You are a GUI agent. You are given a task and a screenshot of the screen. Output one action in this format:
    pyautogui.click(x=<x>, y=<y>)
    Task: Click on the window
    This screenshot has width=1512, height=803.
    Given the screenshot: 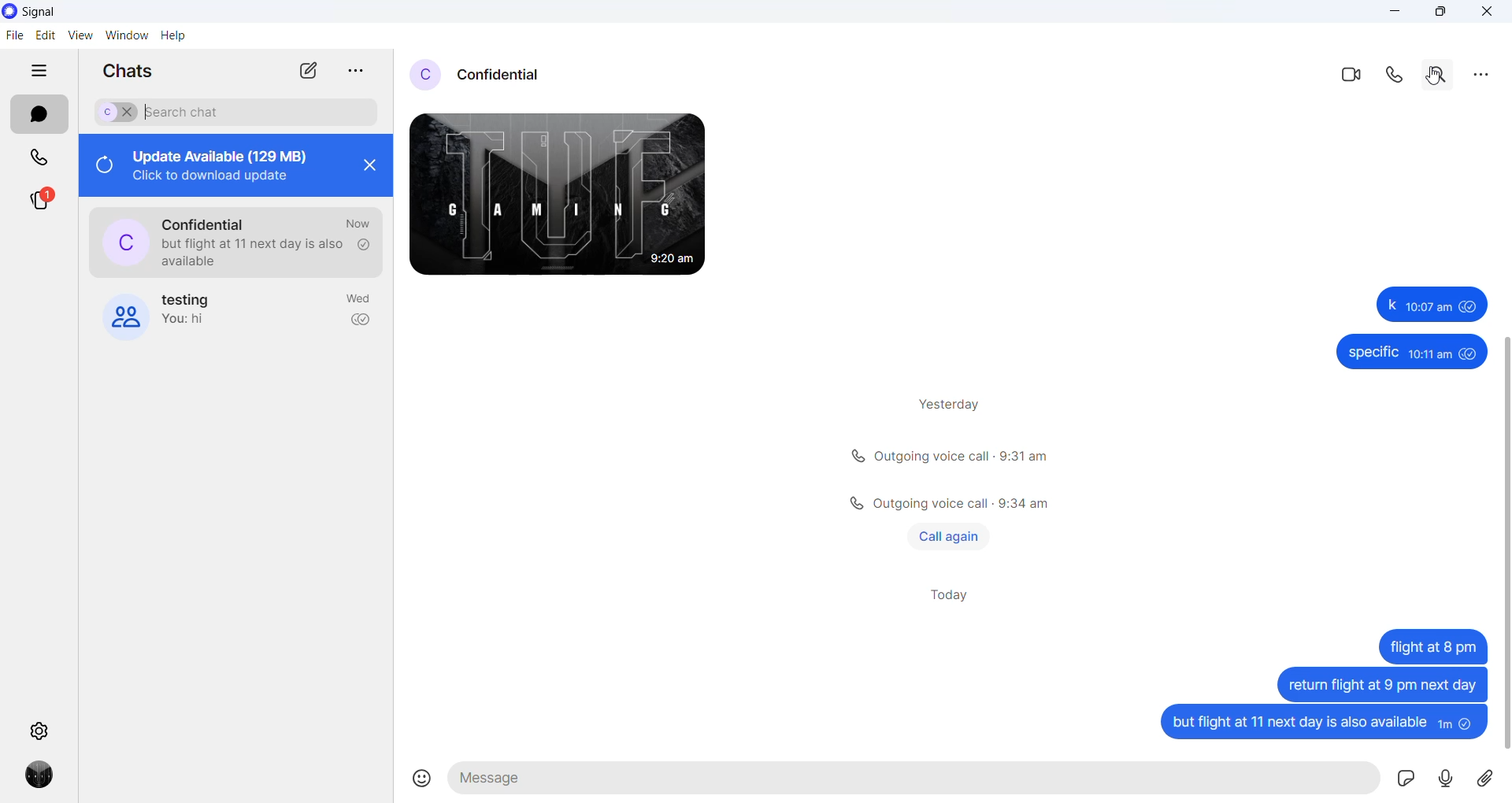 What is the action you would take?
    pyautogui.click(x=127, y=37)
    